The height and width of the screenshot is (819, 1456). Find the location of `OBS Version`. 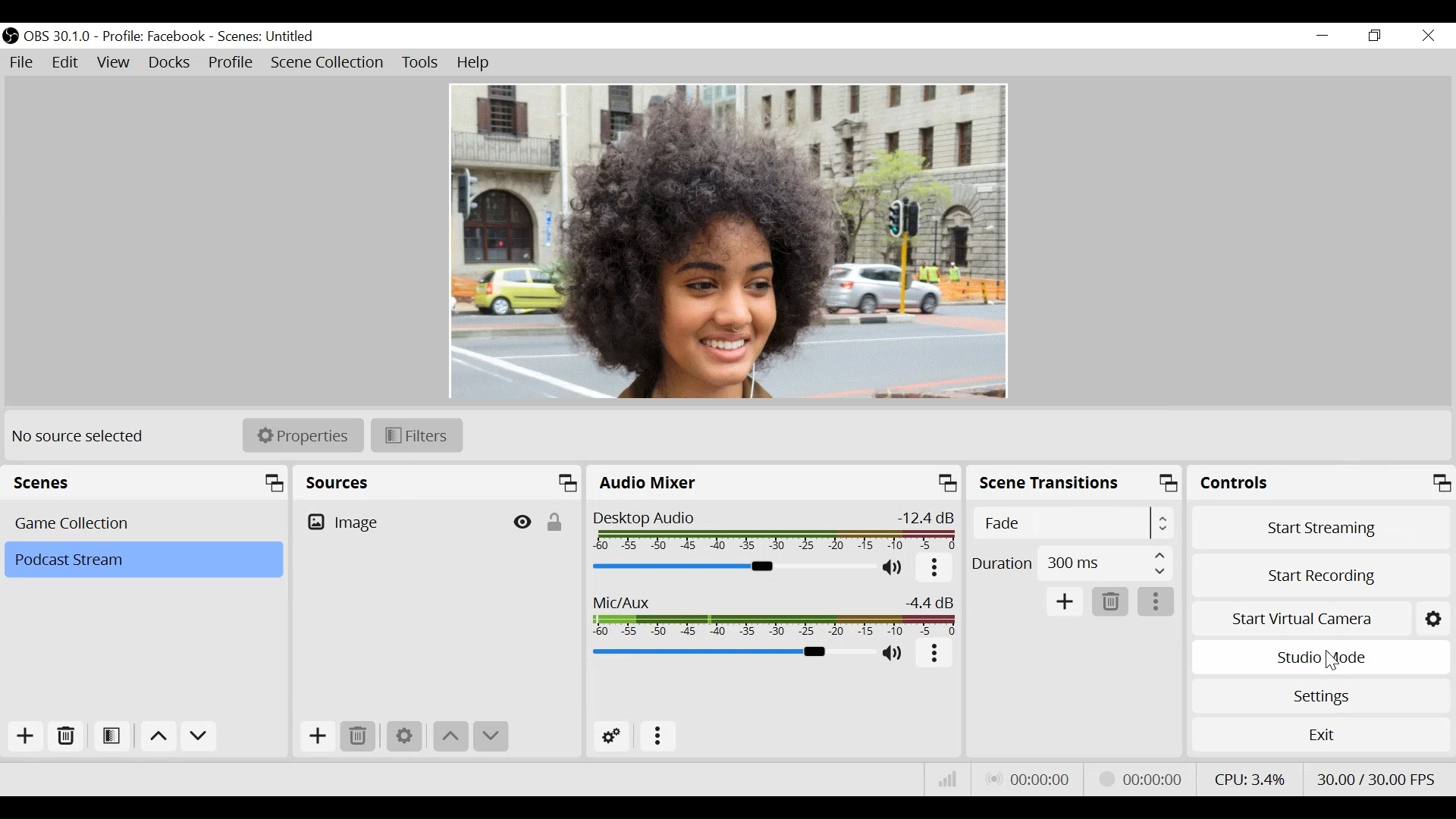

OBS Version is located at coordinates (58, 37).